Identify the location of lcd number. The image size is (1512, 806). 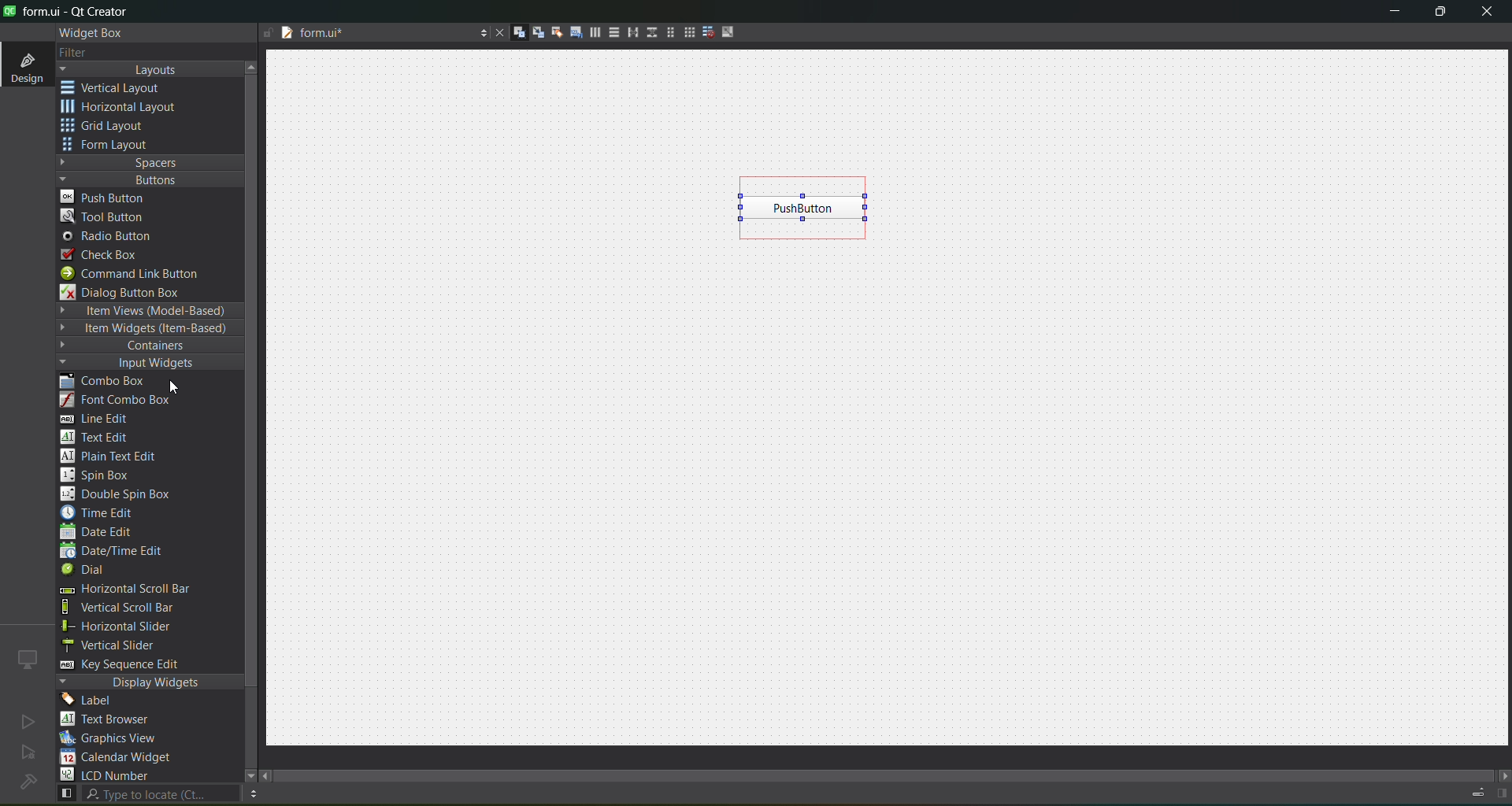
(109, 775).